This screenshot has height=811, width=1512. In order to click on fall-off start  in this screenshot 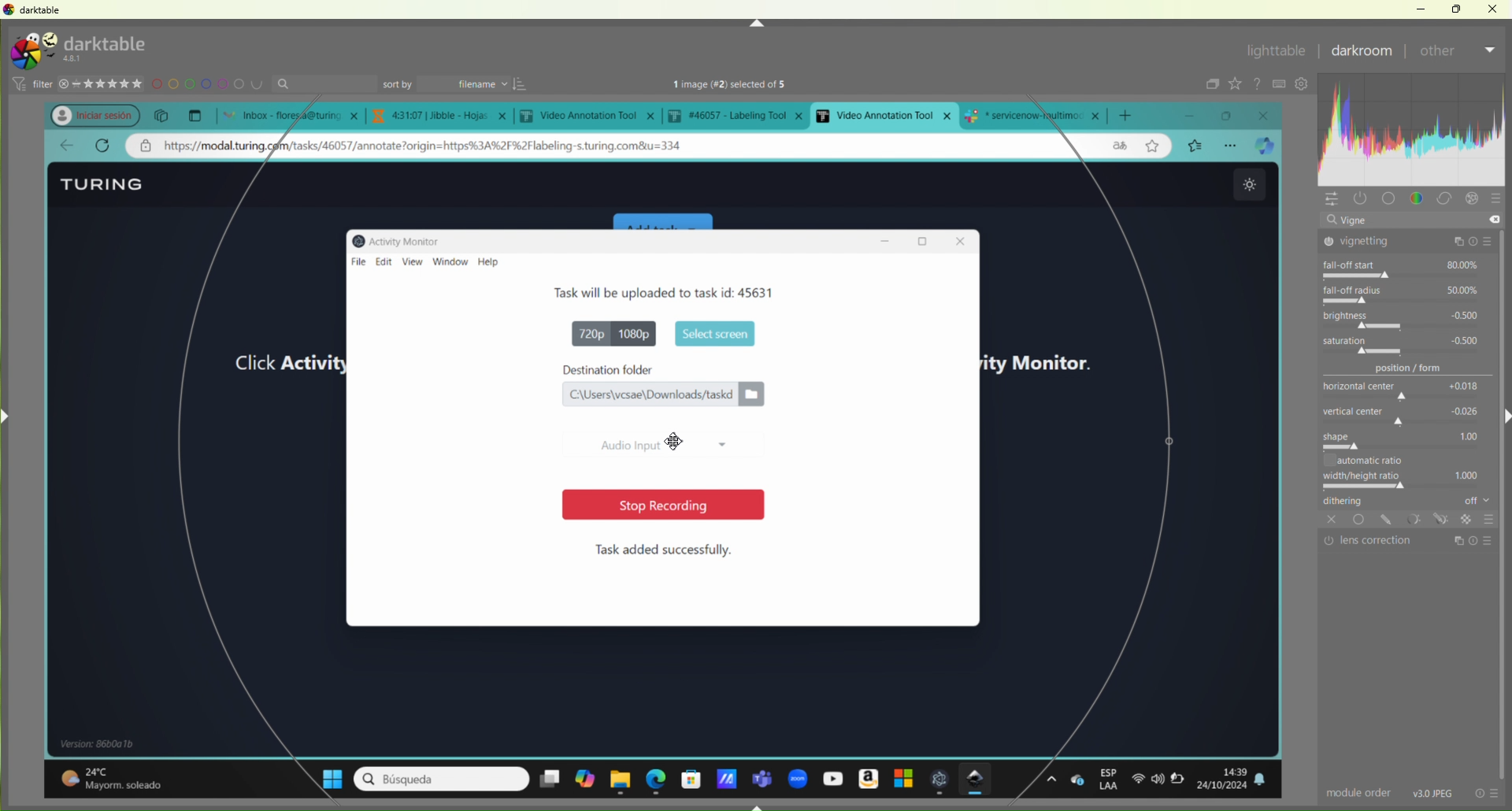, I will do `click(1407, 269)`.